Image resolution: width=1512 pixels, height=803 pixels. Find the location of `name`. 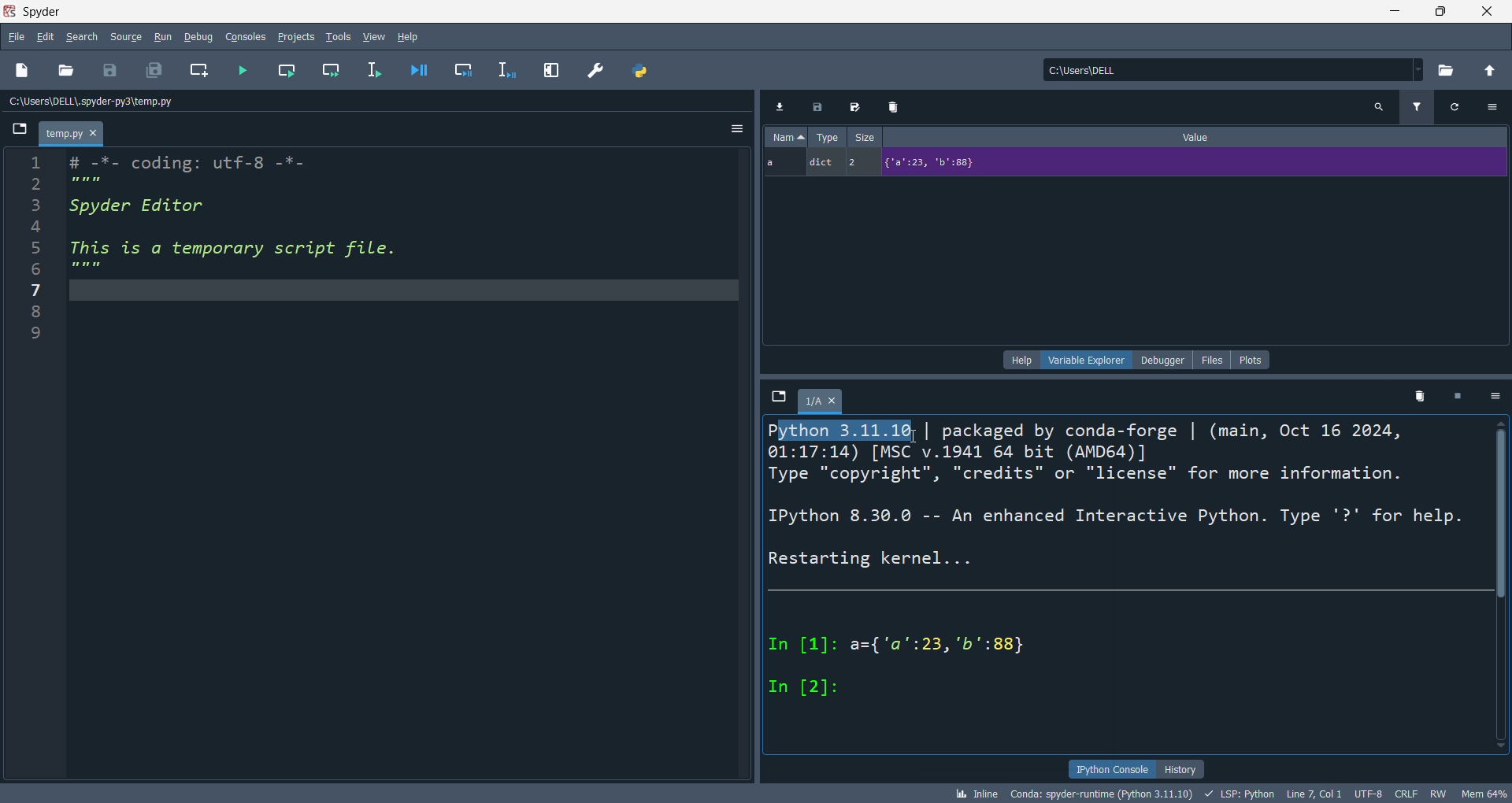

name is located at coordinates (787, 136).